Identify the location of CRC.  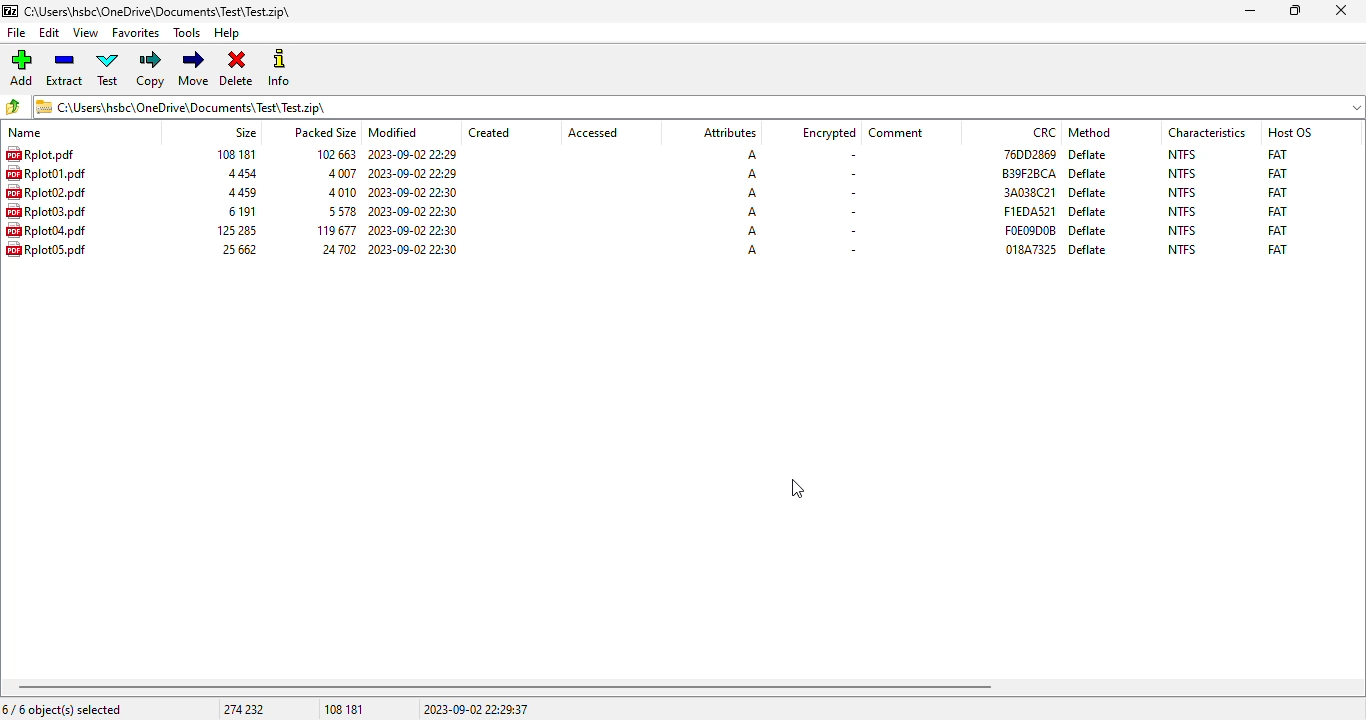
(1028, 153).